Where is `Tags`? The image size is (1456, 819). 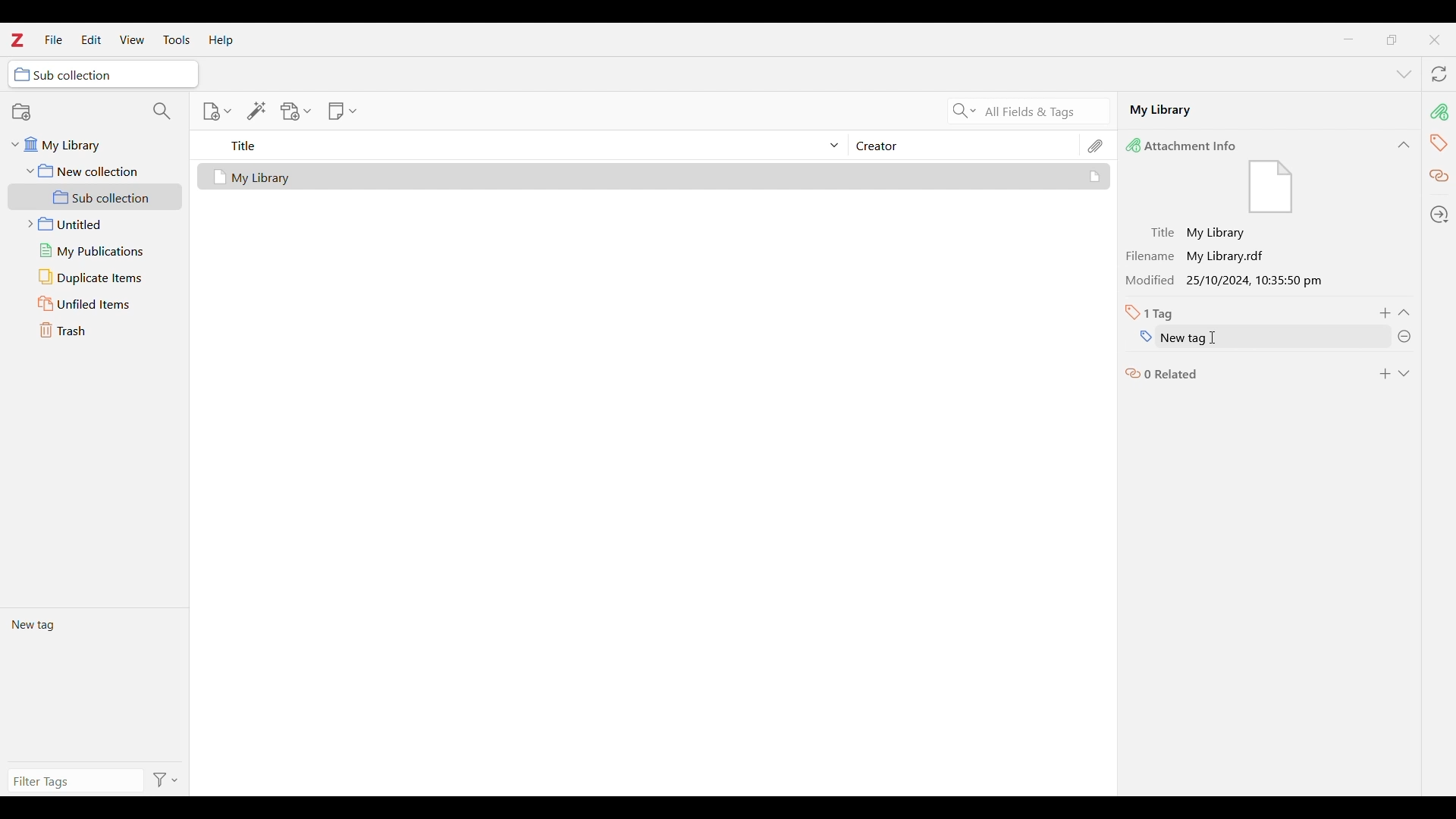 Tags is located at coordinates (1440, 144).